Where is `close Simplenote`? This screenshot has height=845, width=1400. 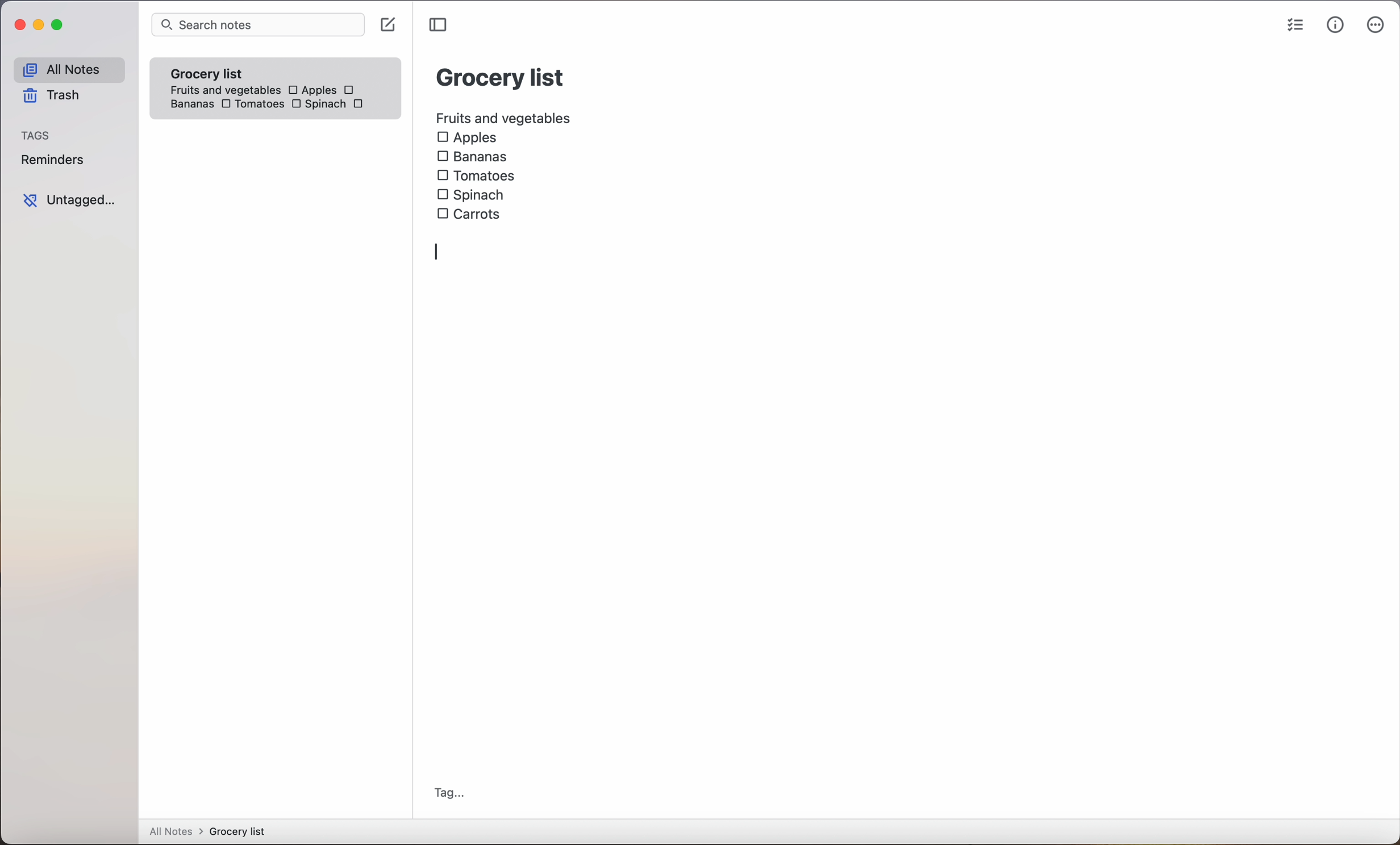 close Simplenote is located at coordinates (19, 26).